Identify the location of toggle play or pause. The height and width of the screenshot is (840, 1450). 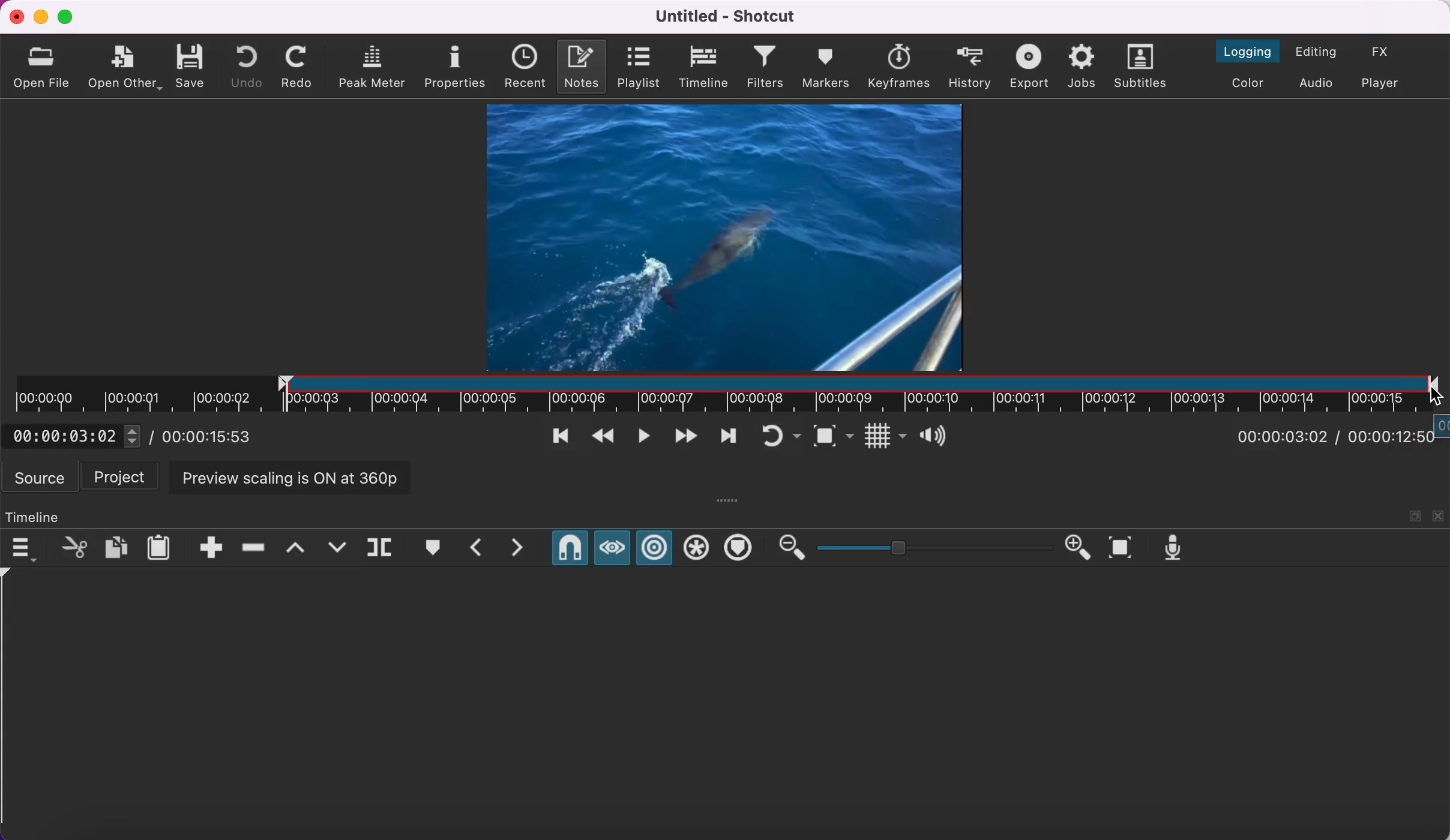
(640, 439).